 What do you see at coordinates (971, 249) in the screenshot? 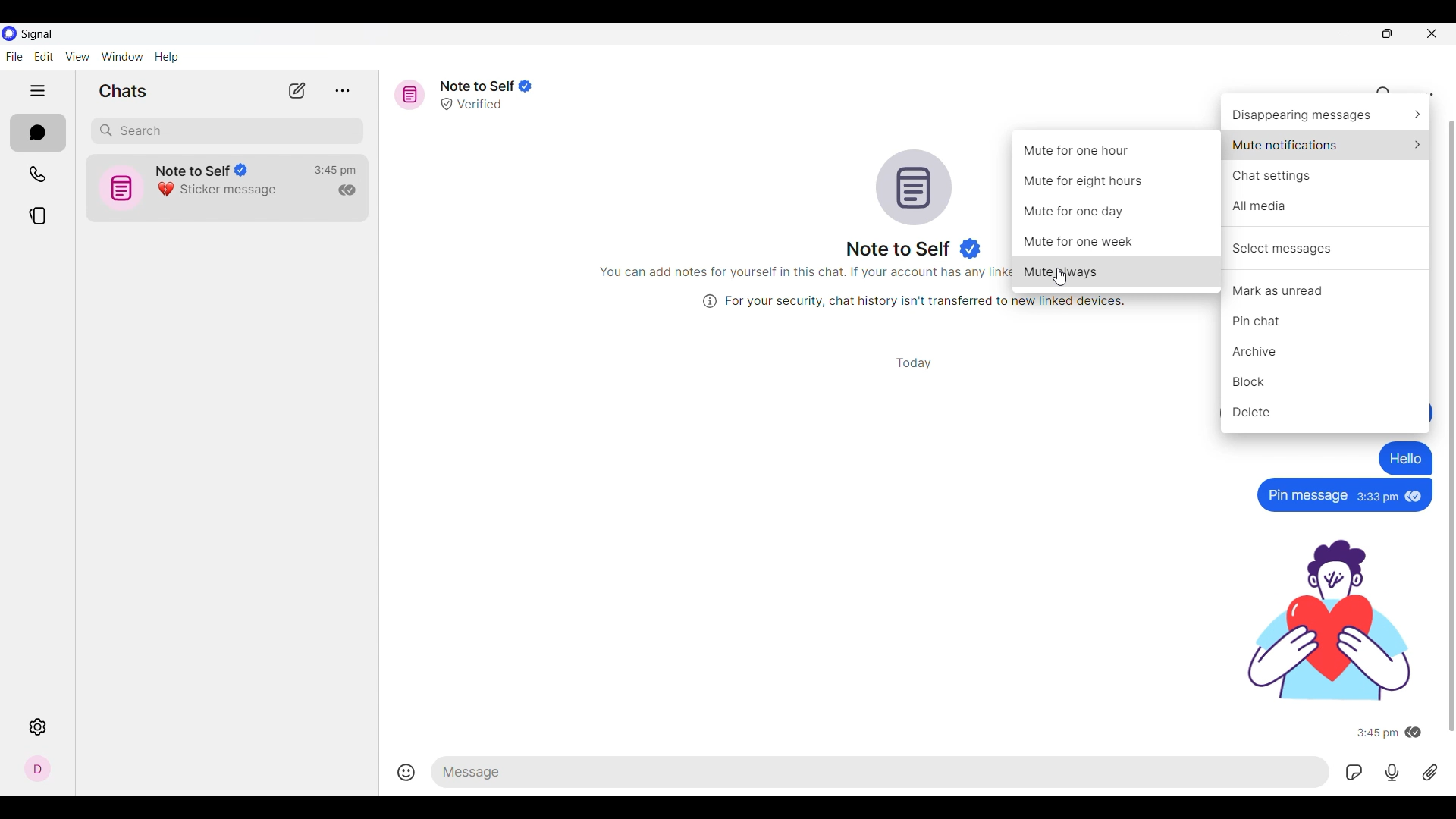
I see `Indicates verified user` at bounding box center [971, 249].